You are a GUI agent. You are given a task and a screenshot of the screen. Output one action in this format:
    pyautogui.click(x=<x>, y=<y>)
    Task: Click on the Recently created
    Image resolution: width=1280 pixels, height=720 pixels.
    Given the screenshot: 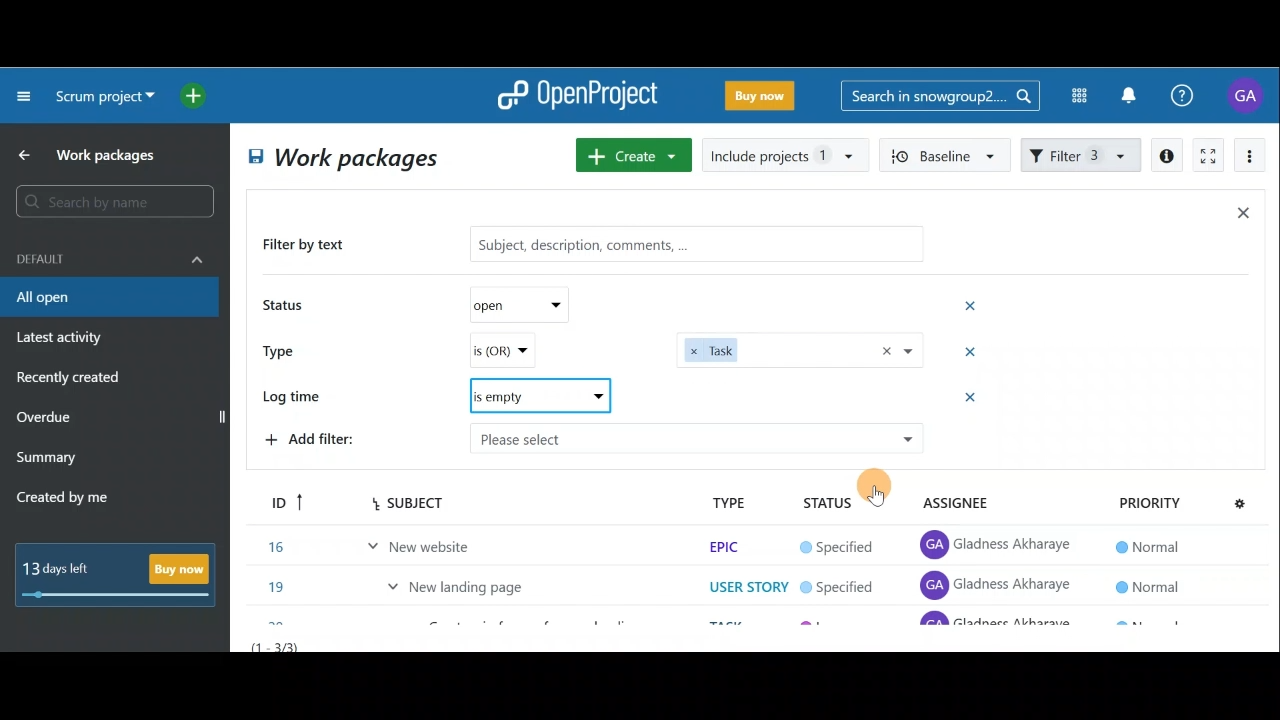 What is the action you would take?
    pyautogui.click(x=71, y=380)
    